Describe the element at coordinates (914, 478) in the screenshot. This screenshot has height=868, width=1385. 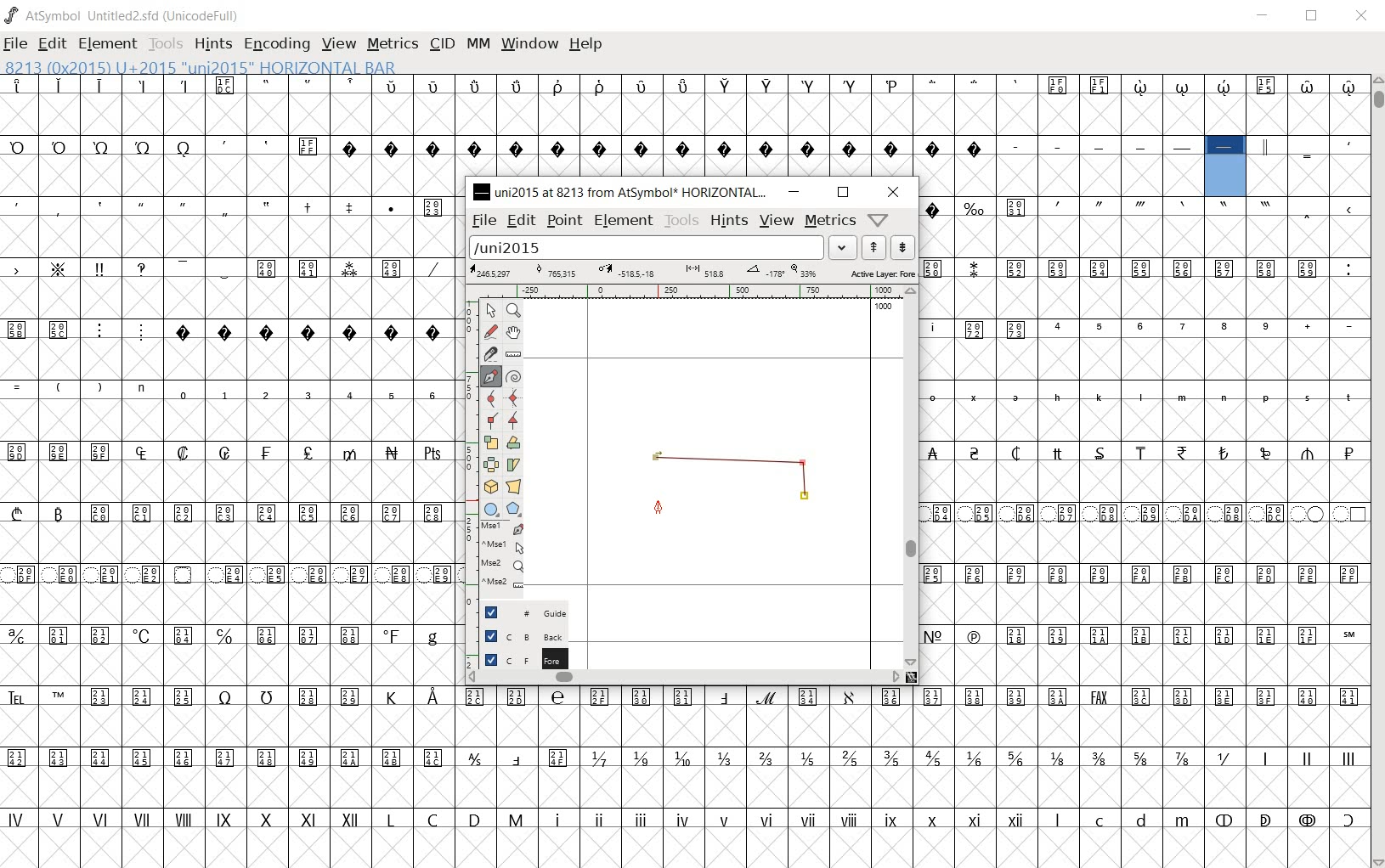
I see `scrollbar` at that location.